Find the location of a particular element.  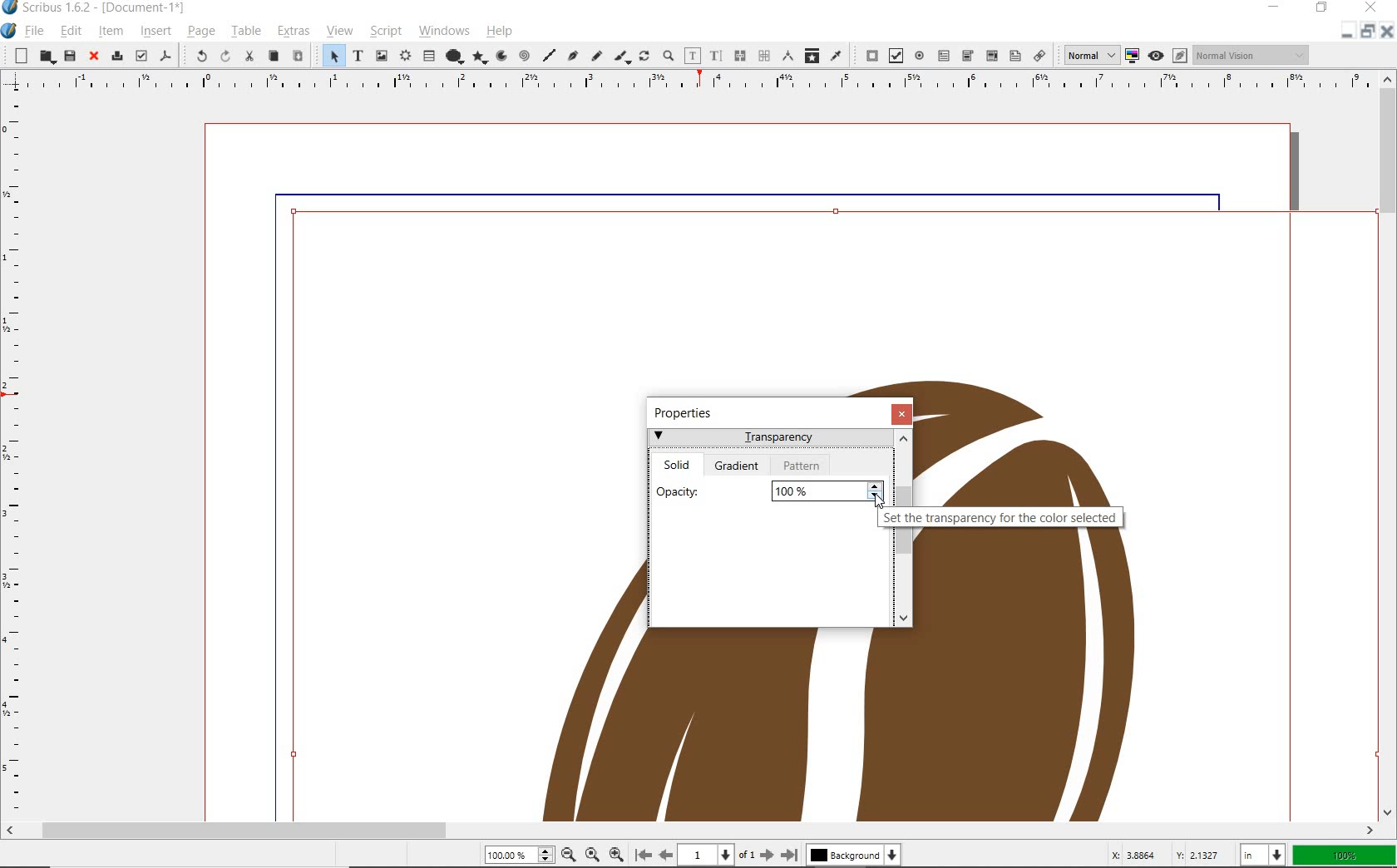

Minimize is located at coordinates (1367, 31).